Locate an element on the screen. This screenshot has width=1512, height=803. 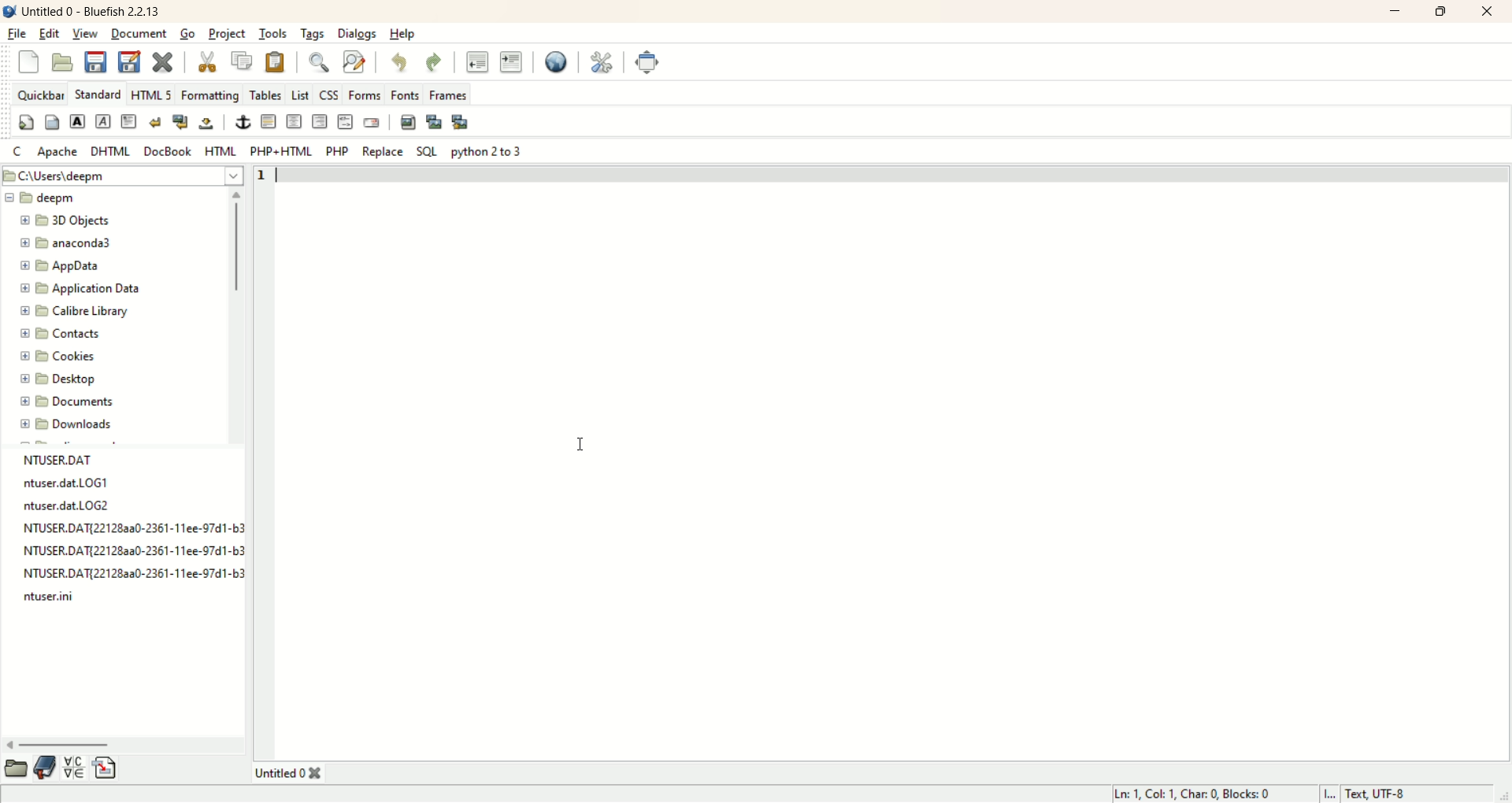
HTML comment is located at coordinates (347, 121).